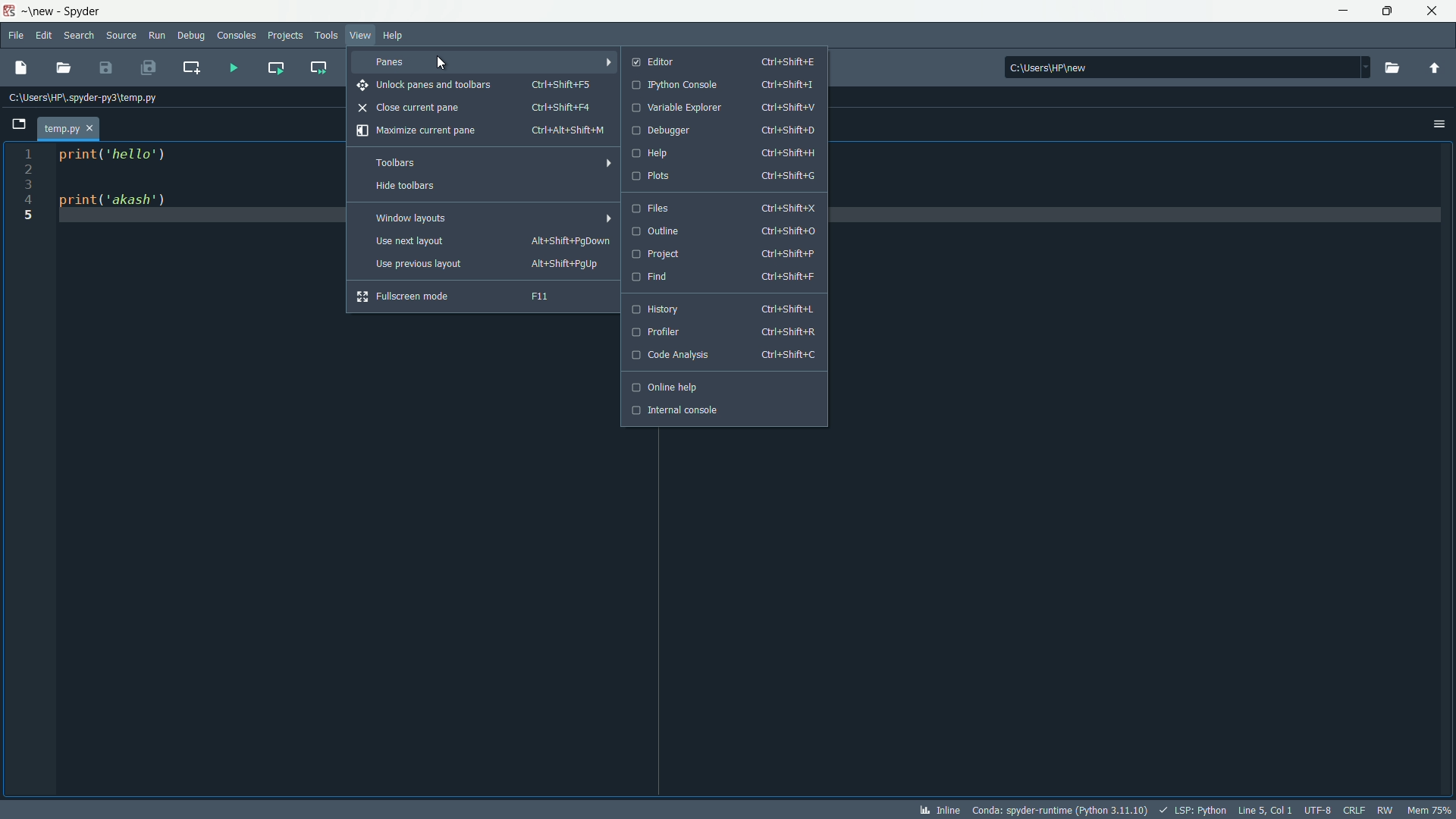 This screenshot has width=1456, height=819. What do you see at coordinates (235, 34) in the screenshot?
I see `consoles menu` at bounding box center [235, 34].